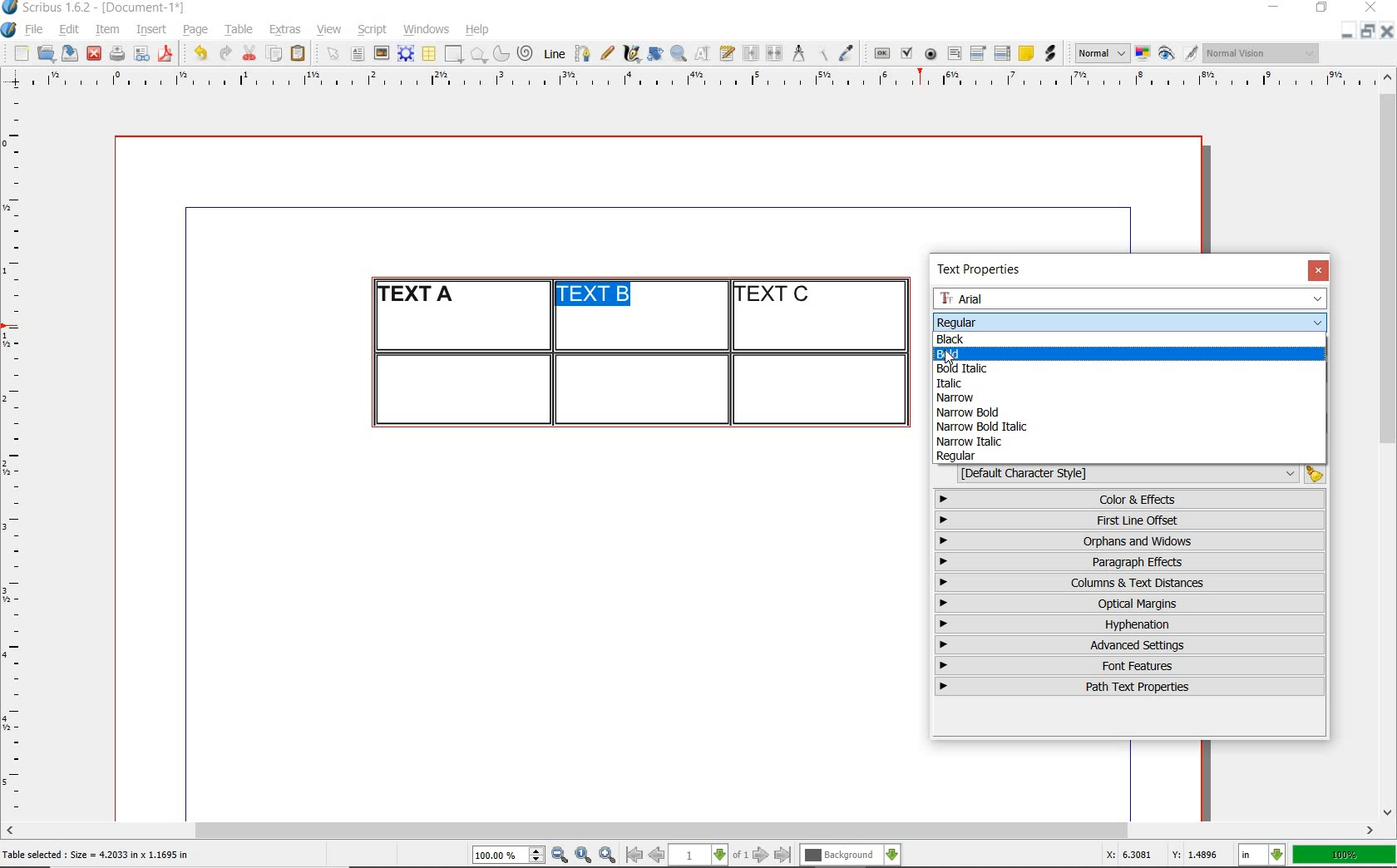 The width and height of the screenshot is (1397, 868). Describe the element at coordinates (1318, 270) in the screenshot. I see `close` at that location.